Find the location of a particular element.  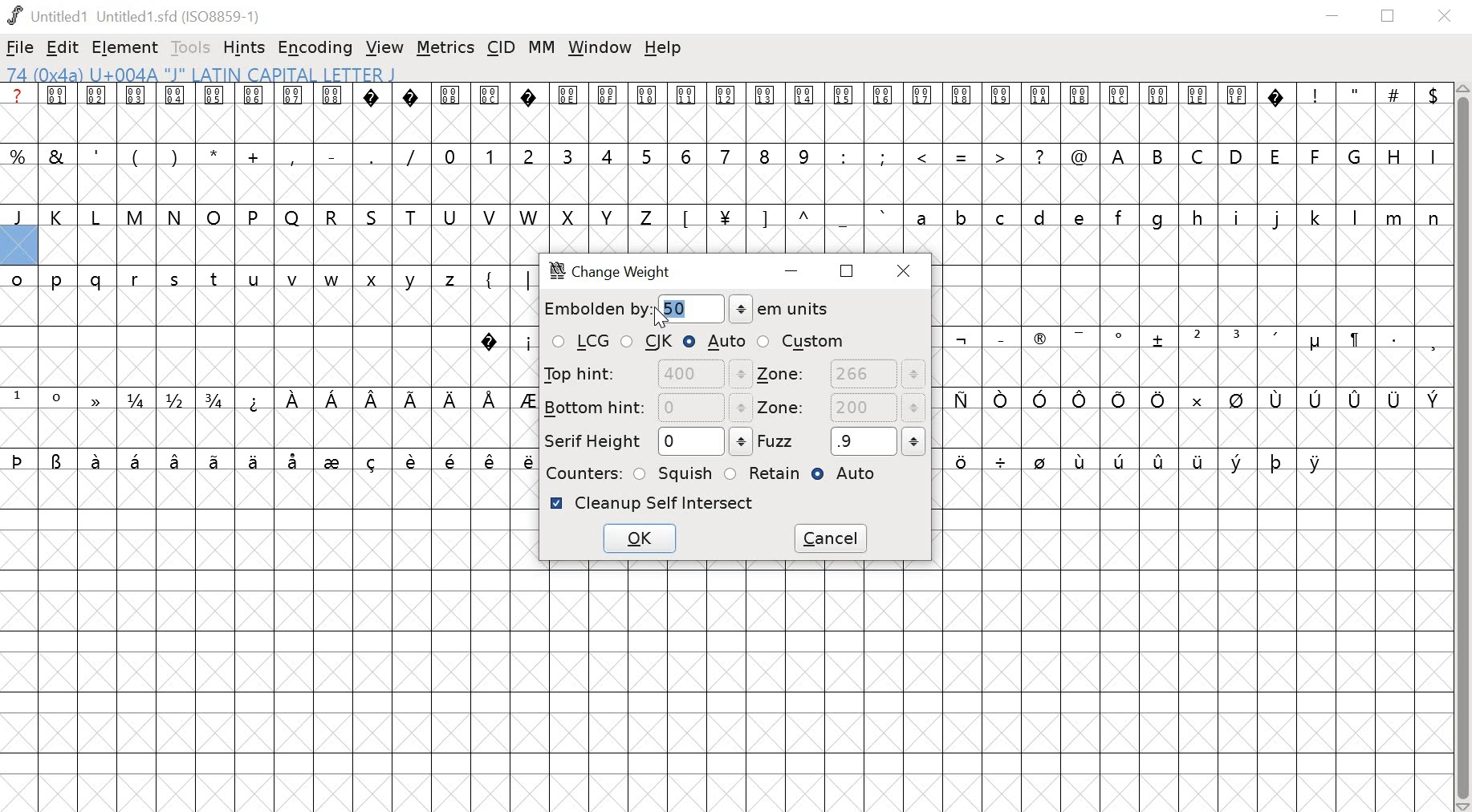

MM is located at coordinates (543, 47).